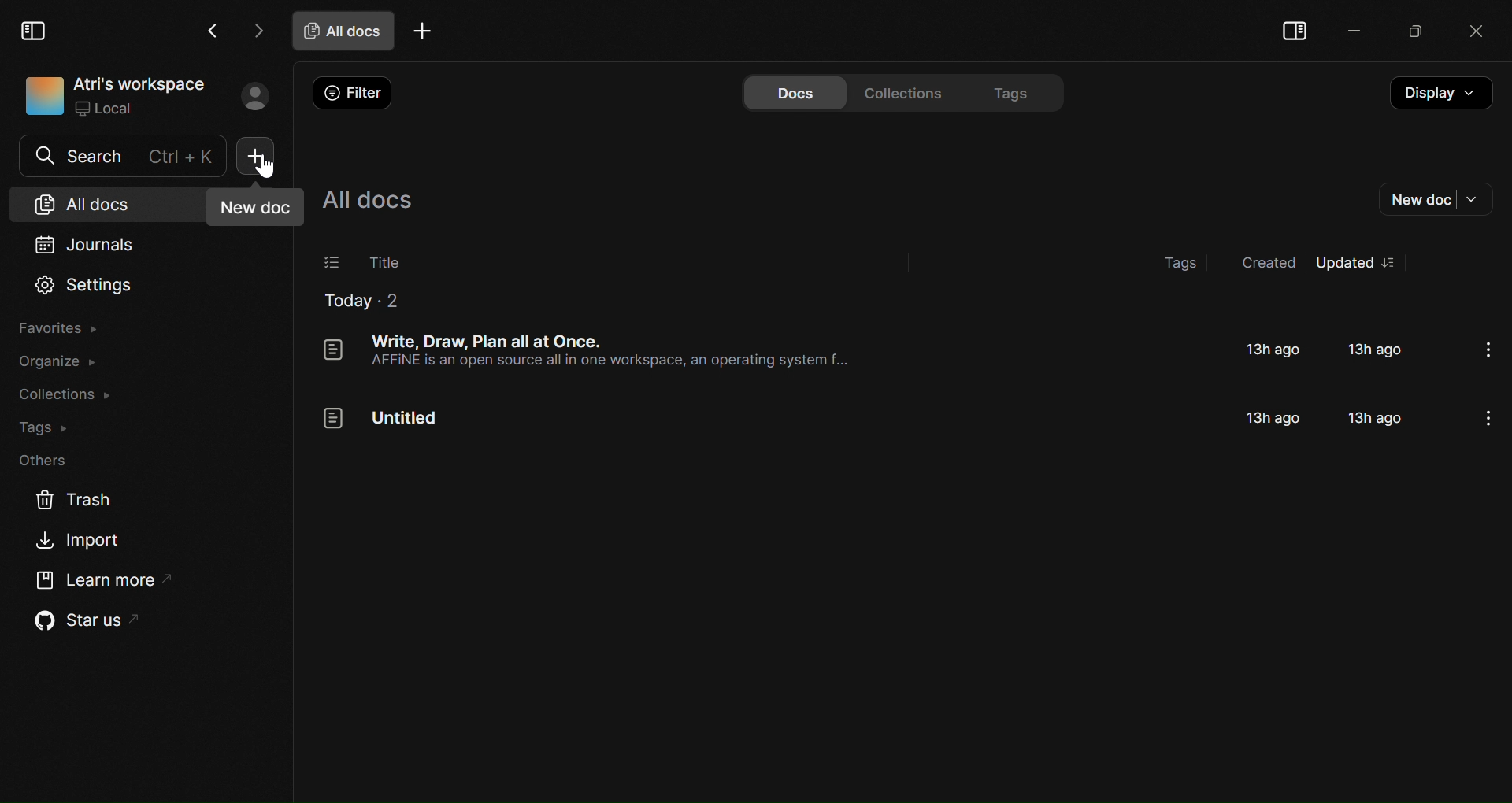  I want to click on Others, so click(48, 461).